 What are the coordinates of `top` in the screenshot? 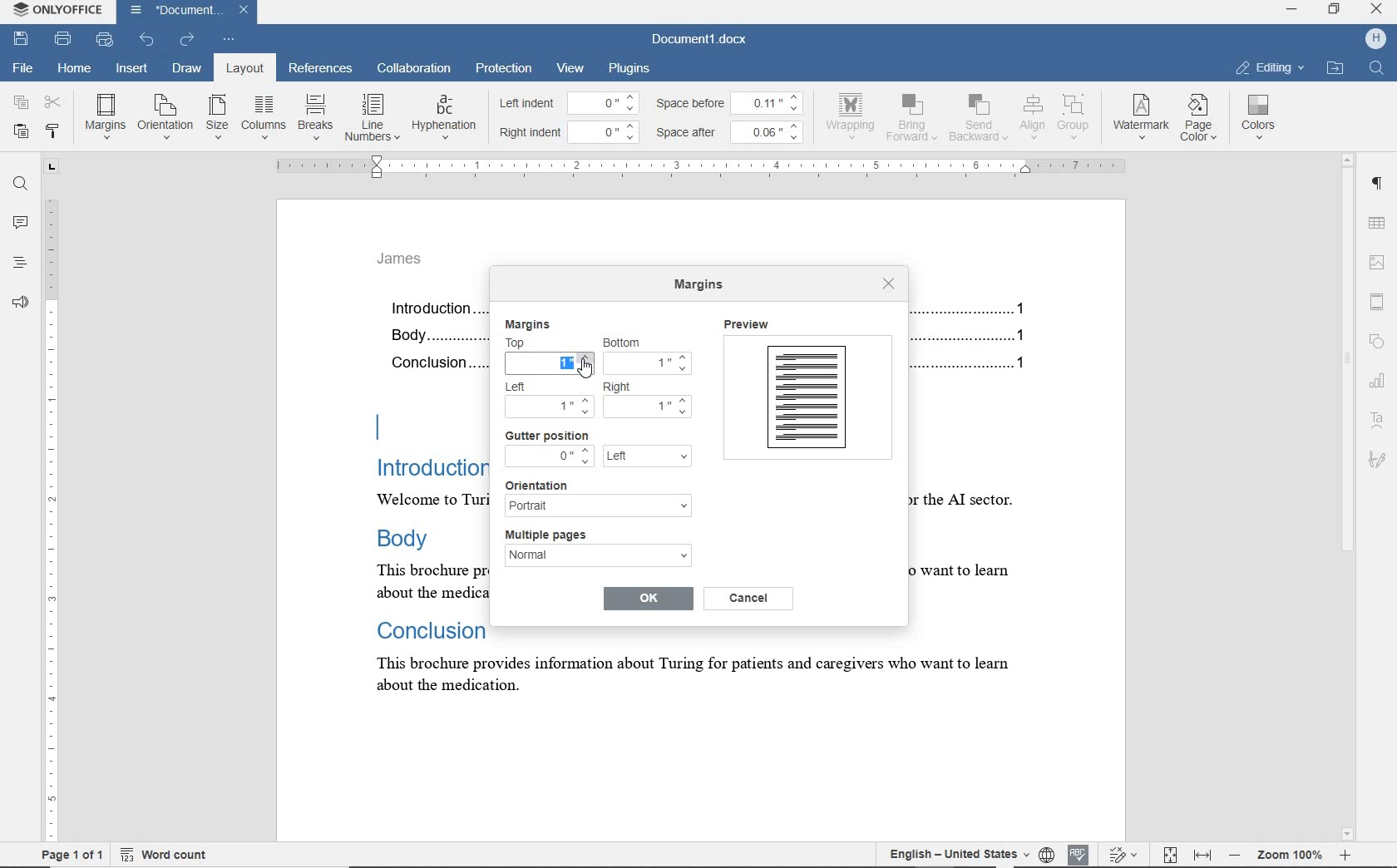 It's located at (525, 343).